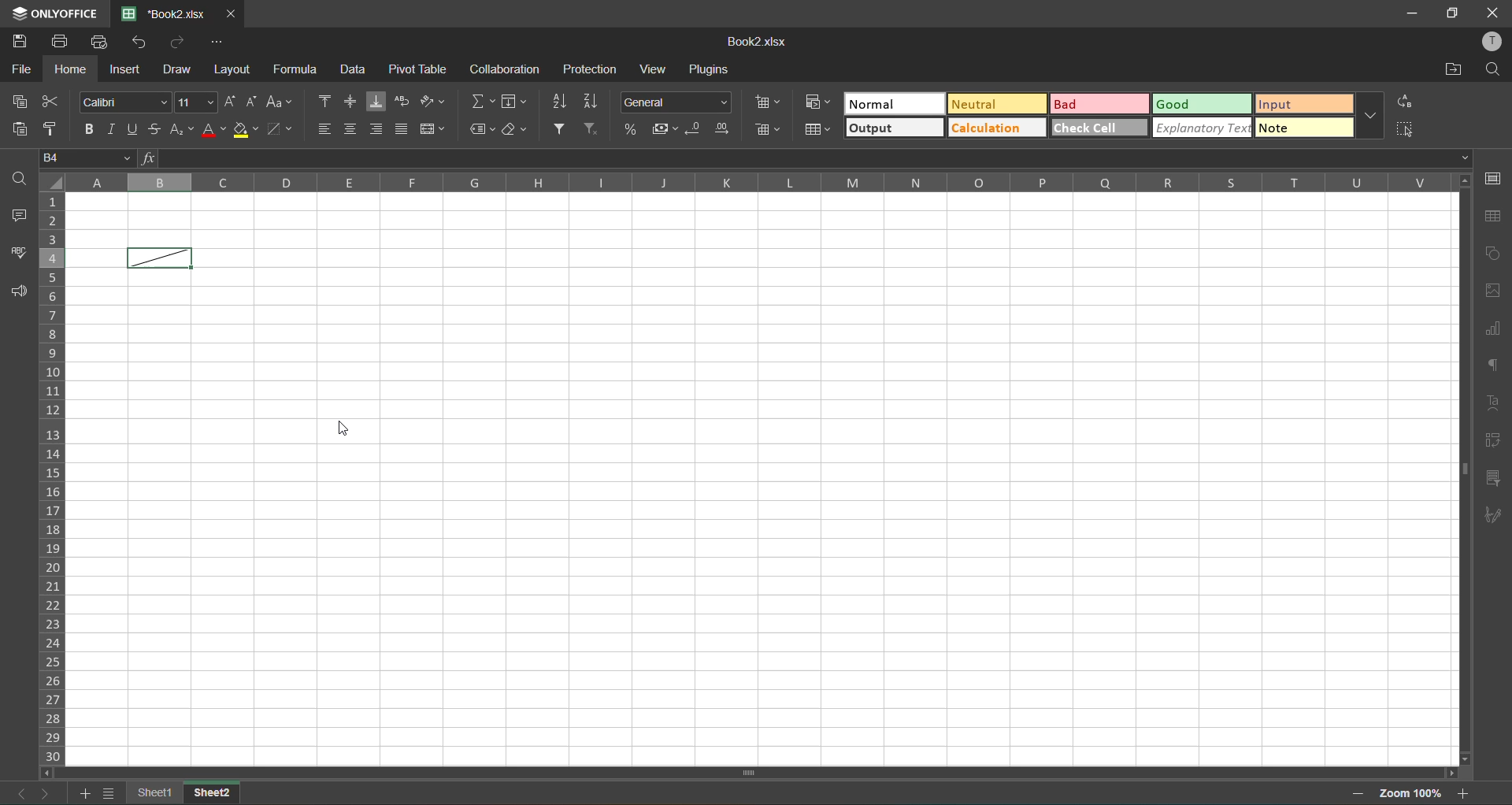 This screenshot has width=1512, height=805. What do you see at coordinates (594, 128) in the screenshot?
I see `clearfilter` at bounding box center [594, 128].